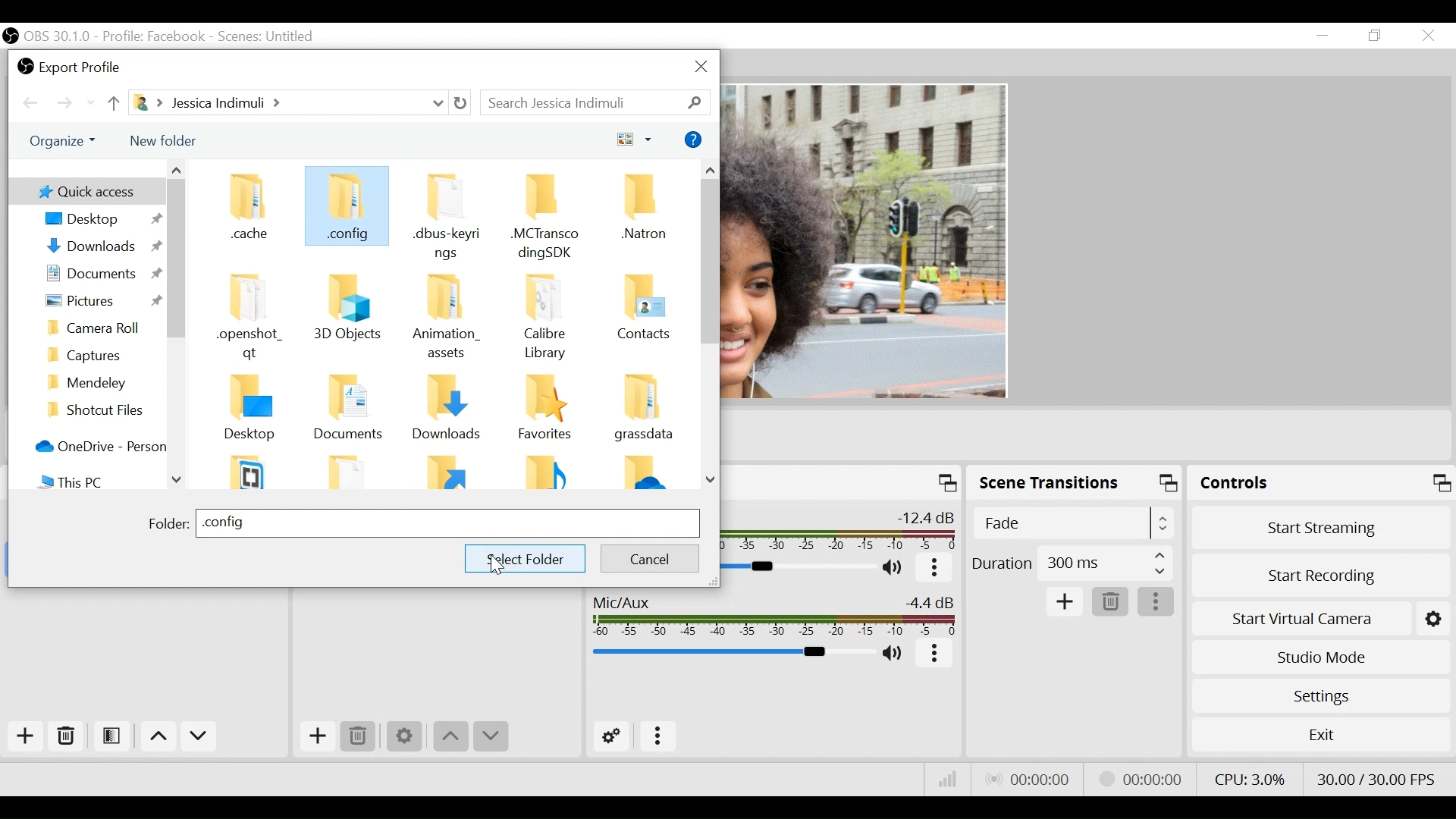 The image size is (1456, 819). I want to click on Move up, so click(158, 736).